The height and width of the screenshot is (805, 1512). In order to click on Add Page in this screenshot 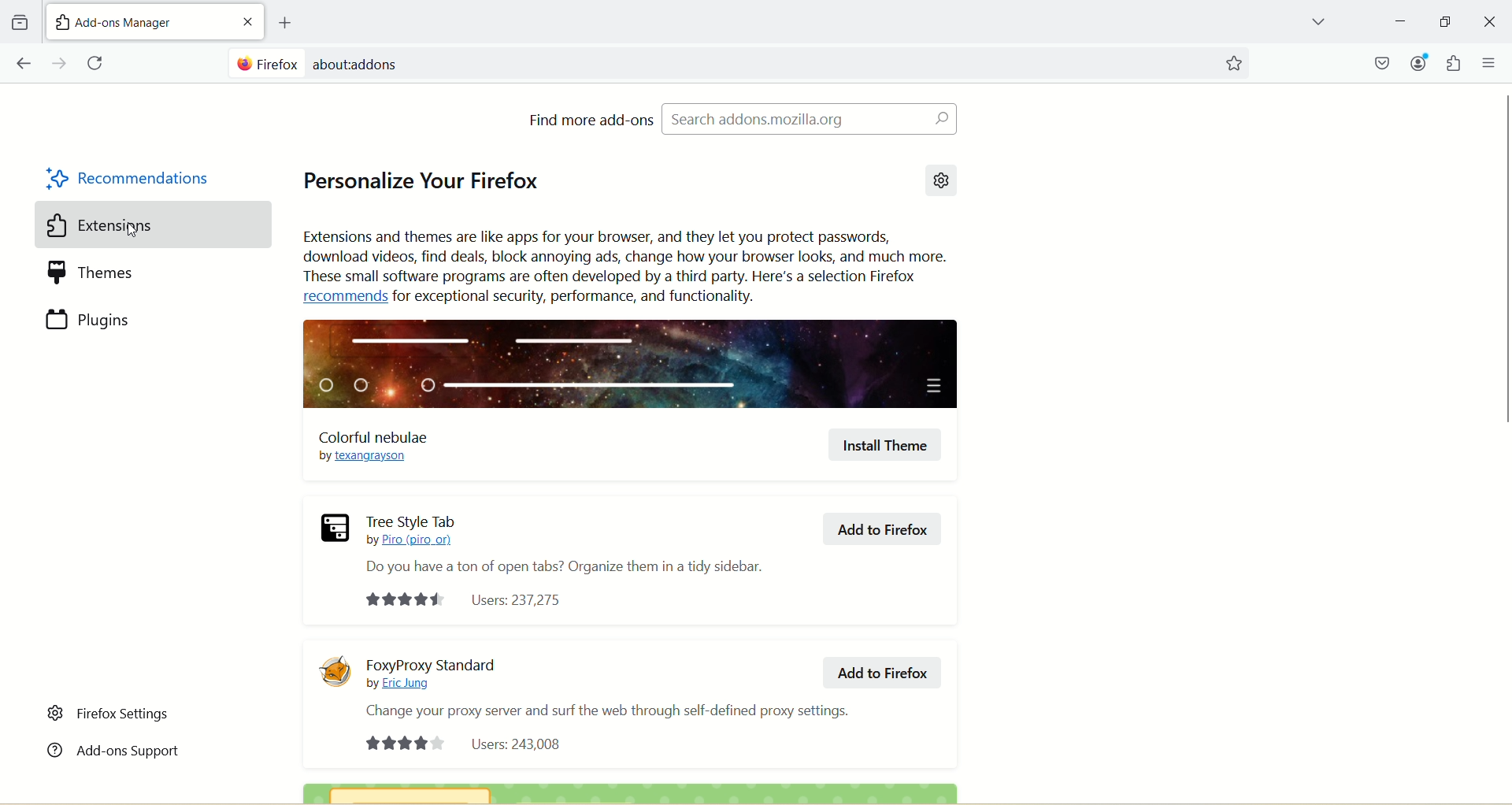, I will do `click(283, 23)`.